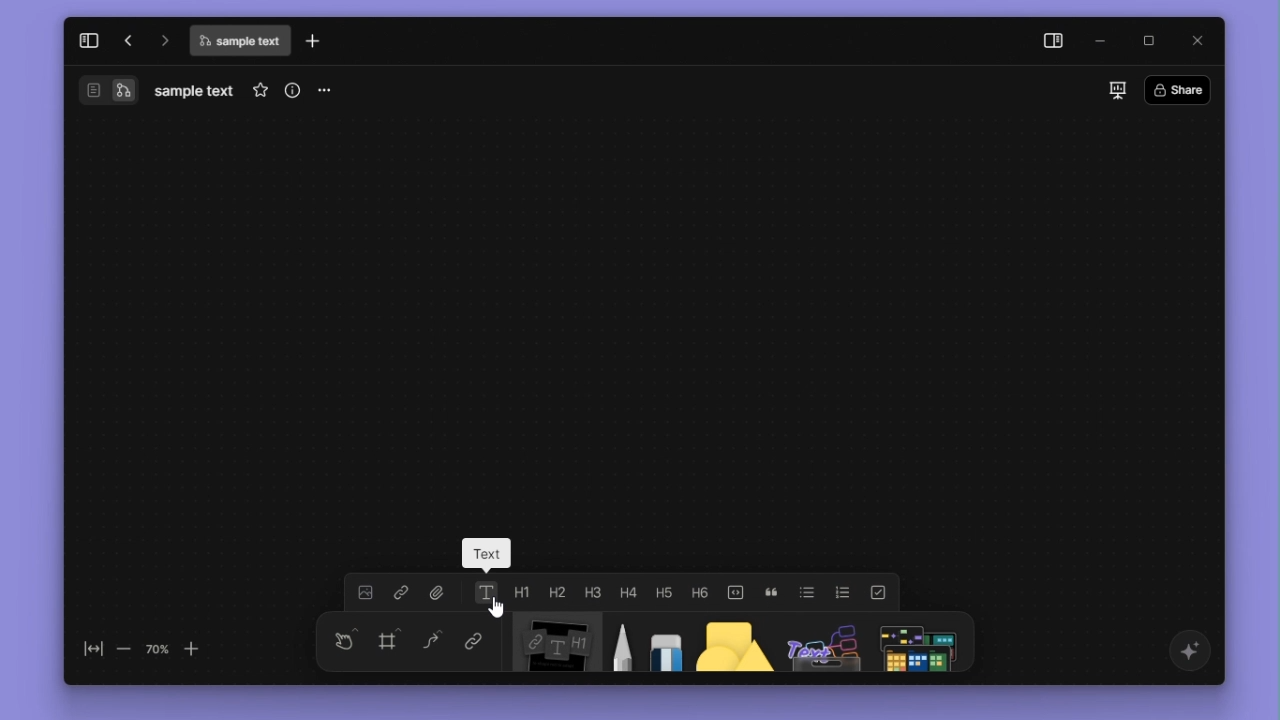  What do you see at coordinates (390, 641) in the screenshot?
I see `frame f` at bounding box center [390, 641].